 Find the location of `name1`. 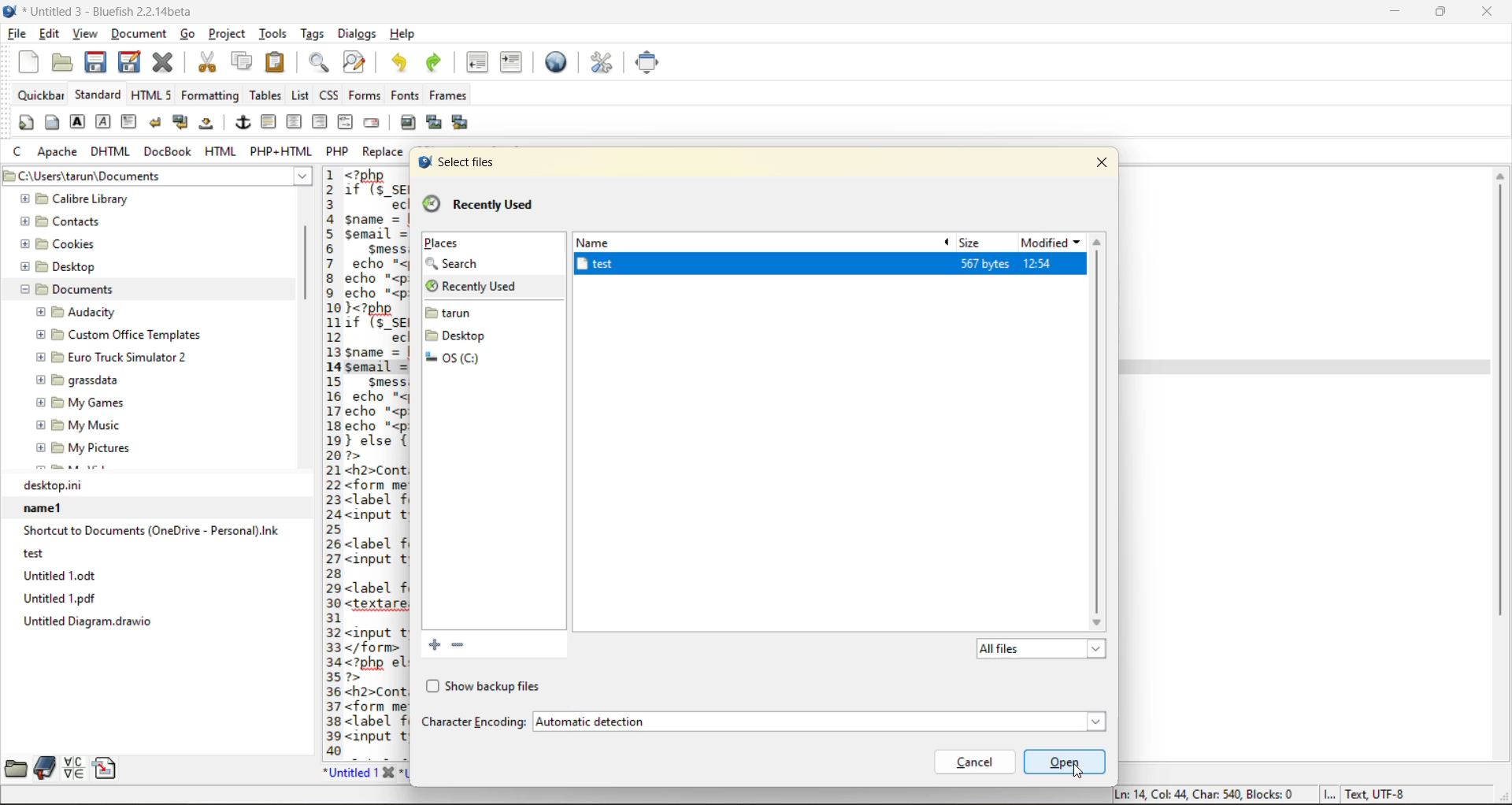

name1 is located at coordinates (153, 507).